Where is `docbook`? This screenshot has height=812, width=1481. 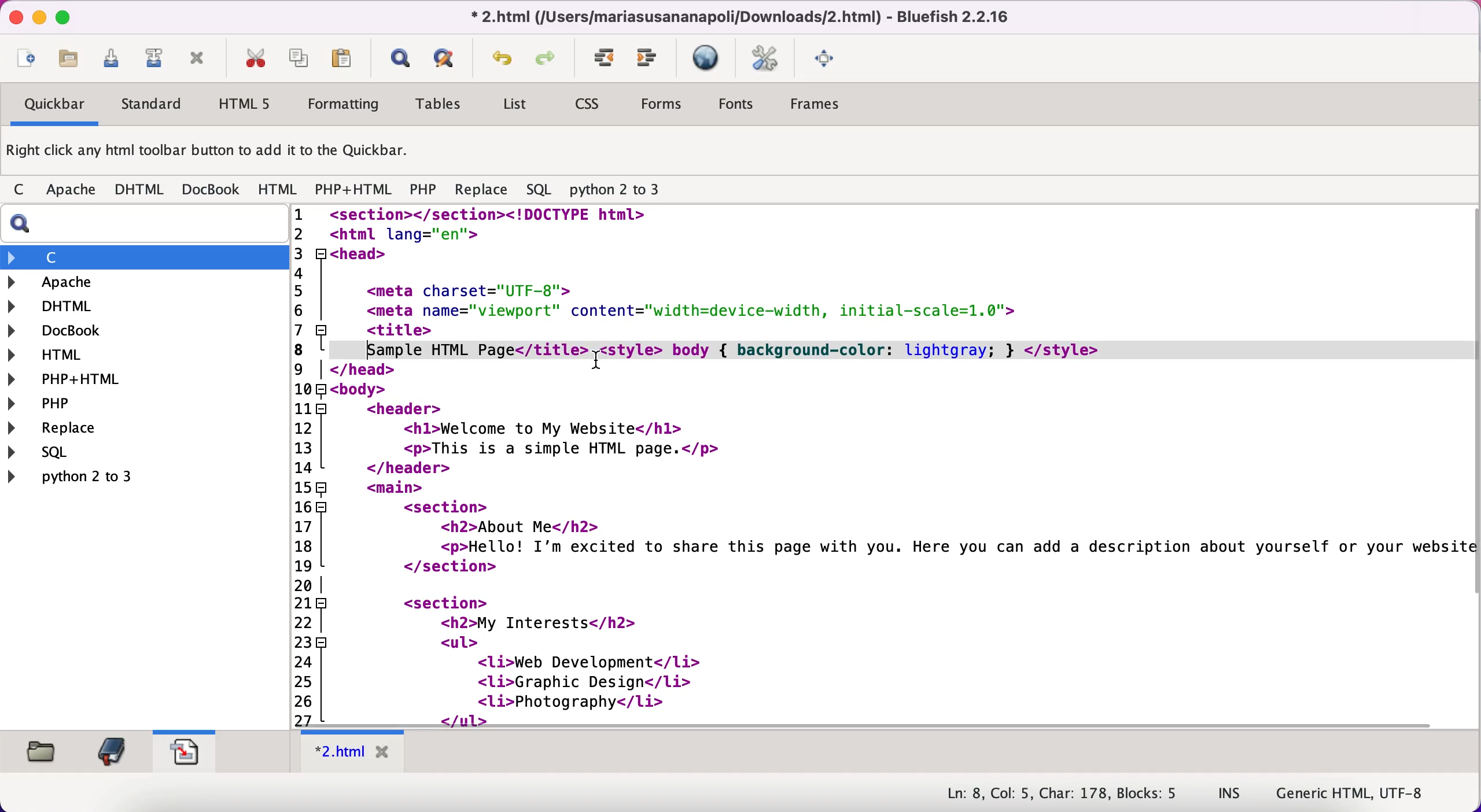
docbook is located at coordinates (212, 189).